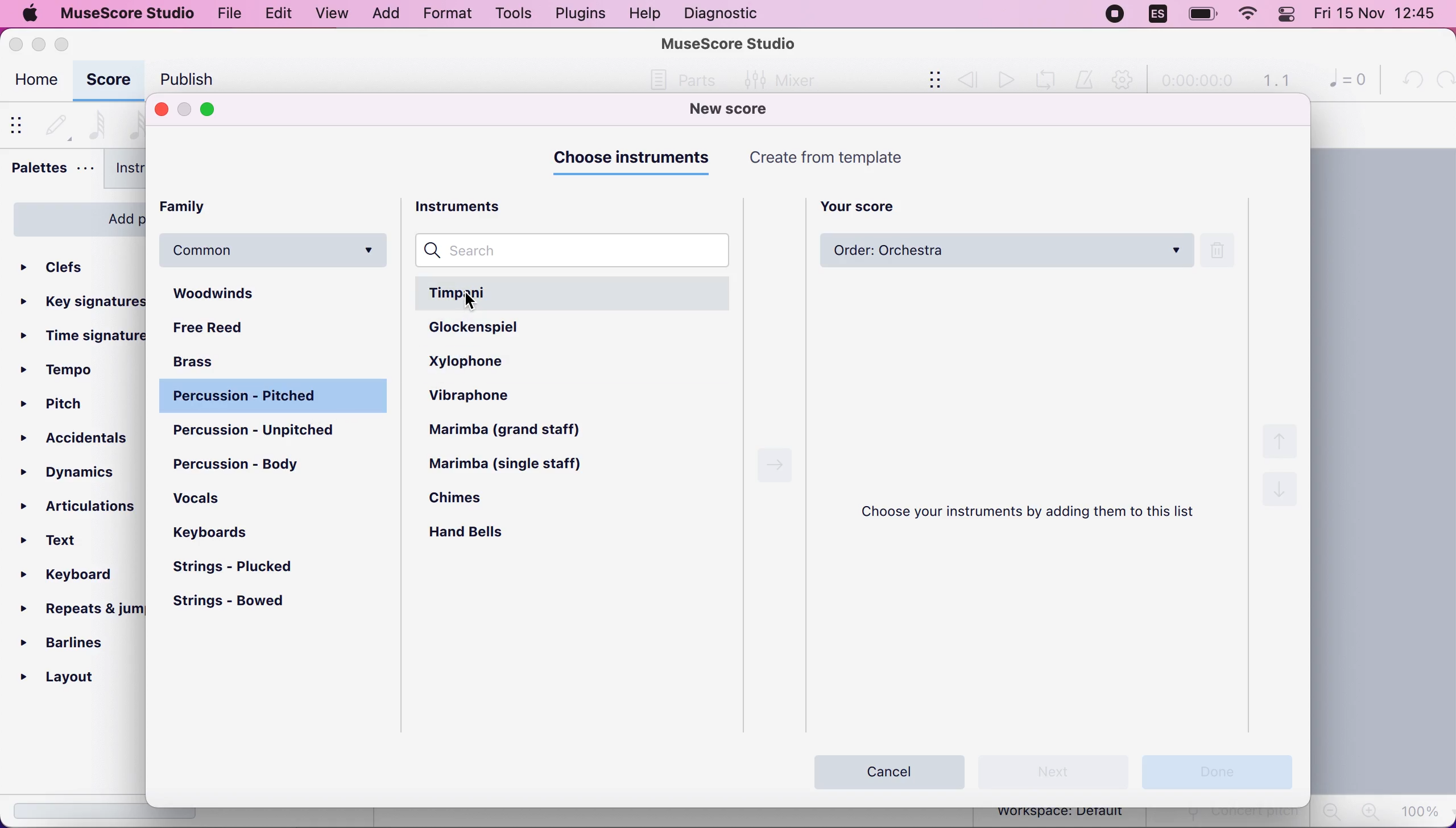  I want to click on edit, so click(276, 12).